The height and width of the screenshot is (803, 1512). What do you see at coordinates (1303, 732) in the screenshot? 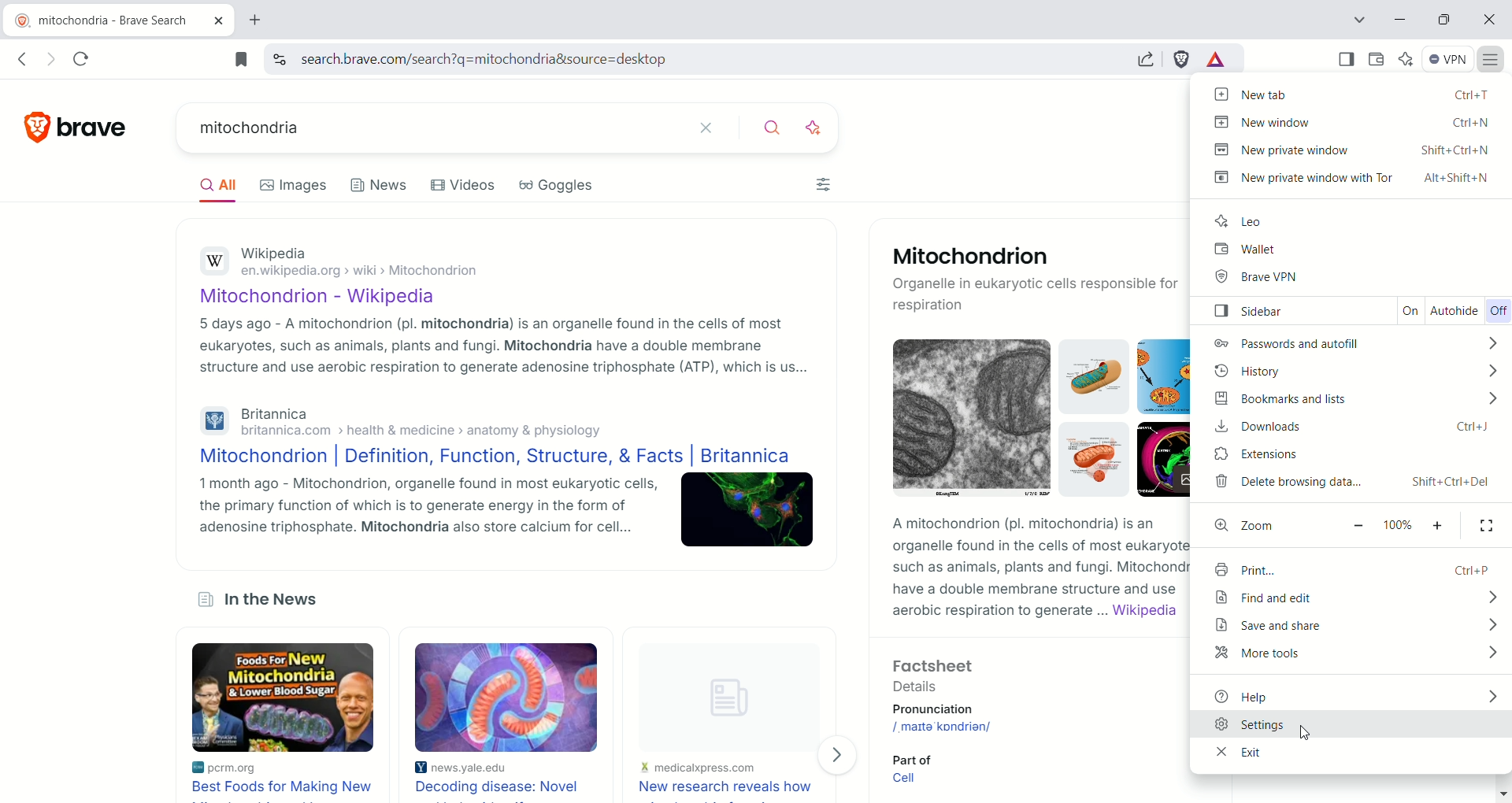
I see `cursor` at bounding box center [1303, 732].